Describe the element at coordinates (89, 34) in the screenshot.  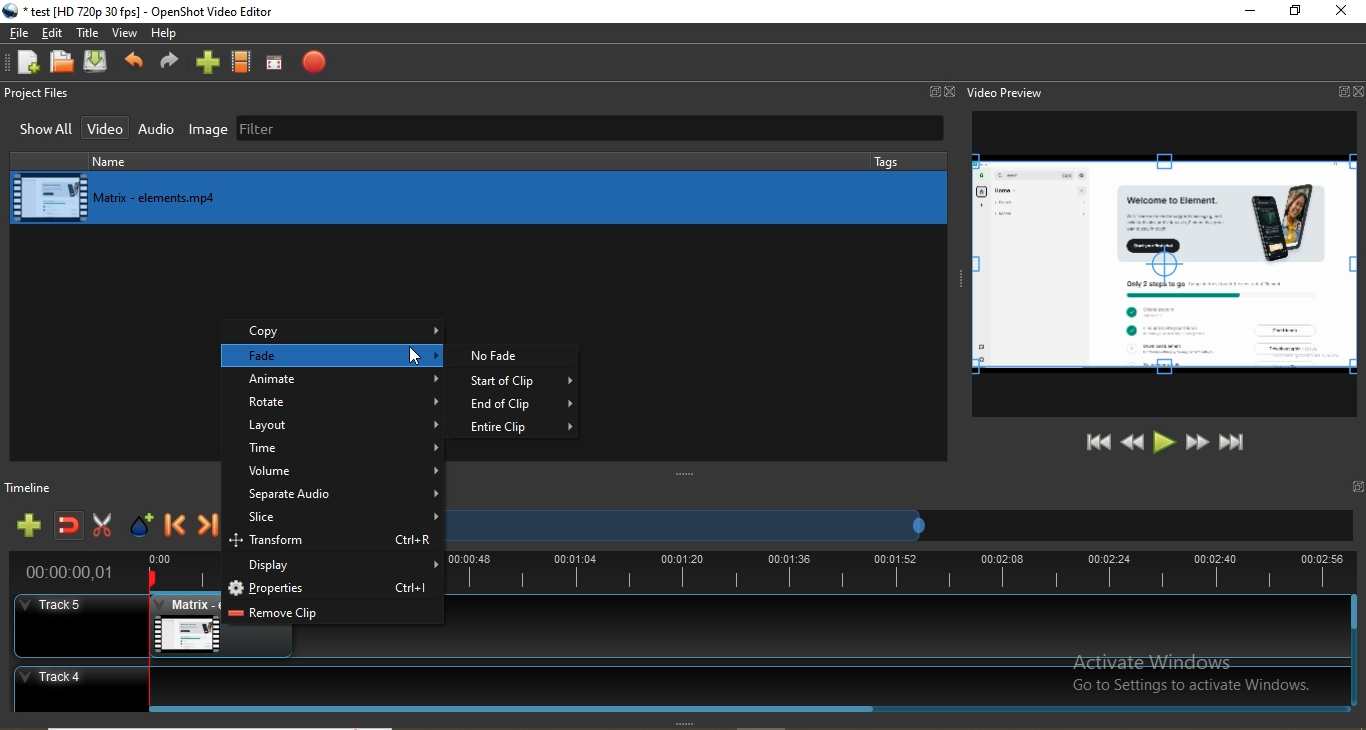
I see `Title` at that location.